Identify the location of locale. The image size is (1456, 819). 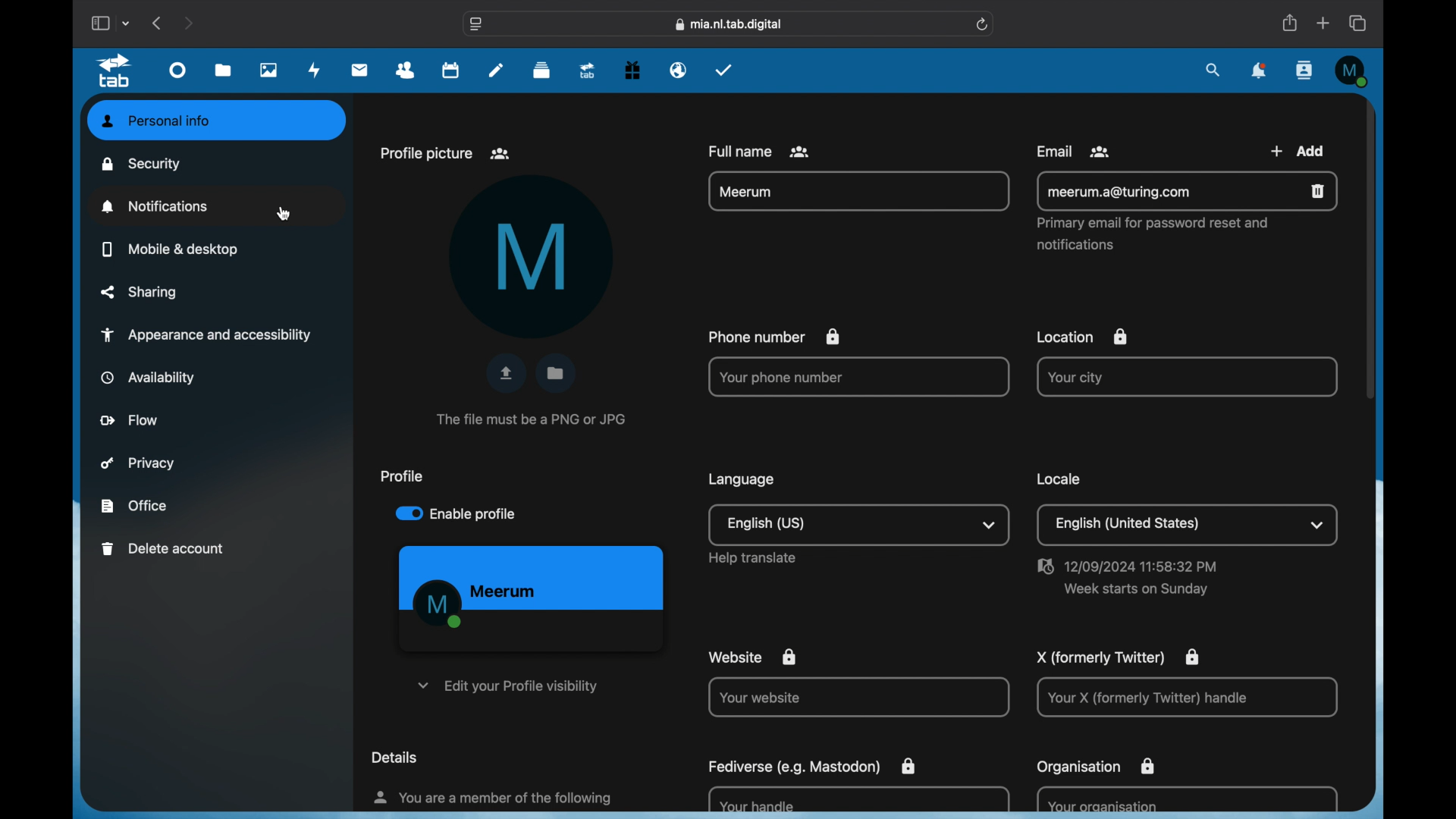
(1059, 477).